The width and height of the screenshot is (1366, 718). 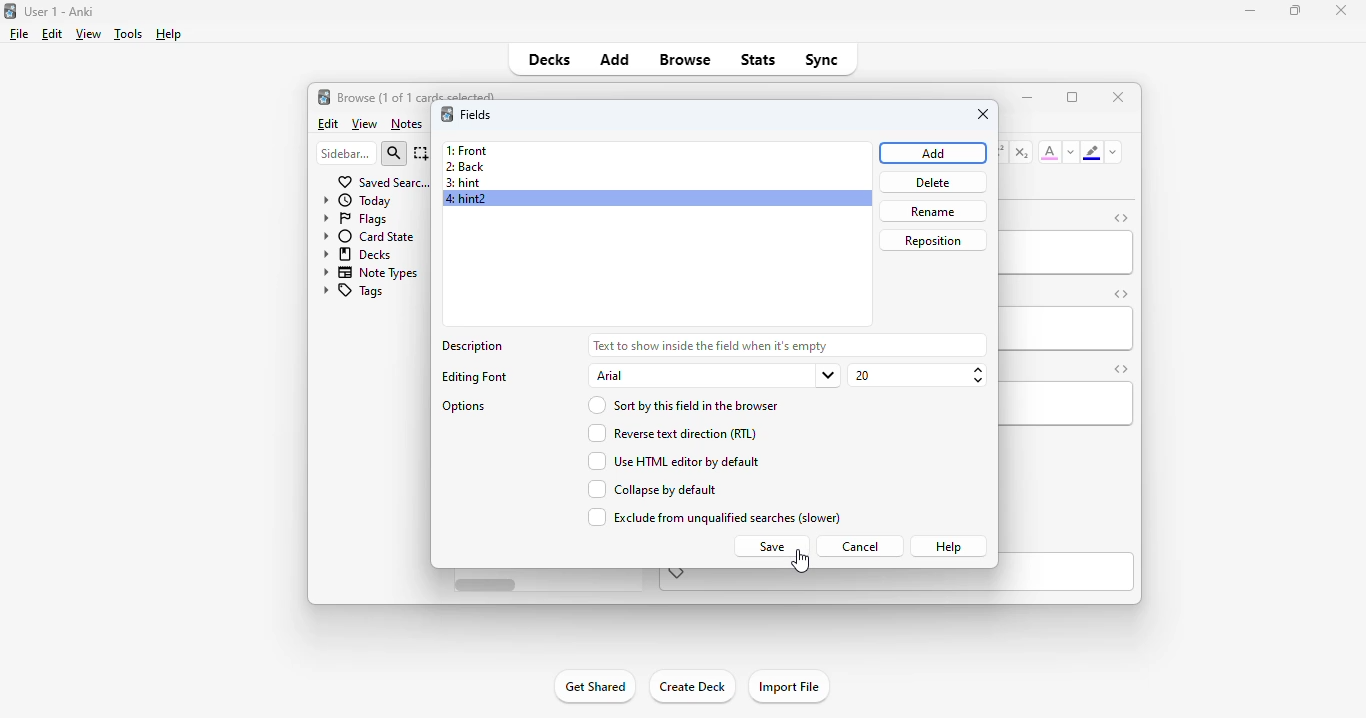 What do you see at coordinates (1295, 9) in the screenshot?
I see `maximize` at bounding box center [1295, 9].